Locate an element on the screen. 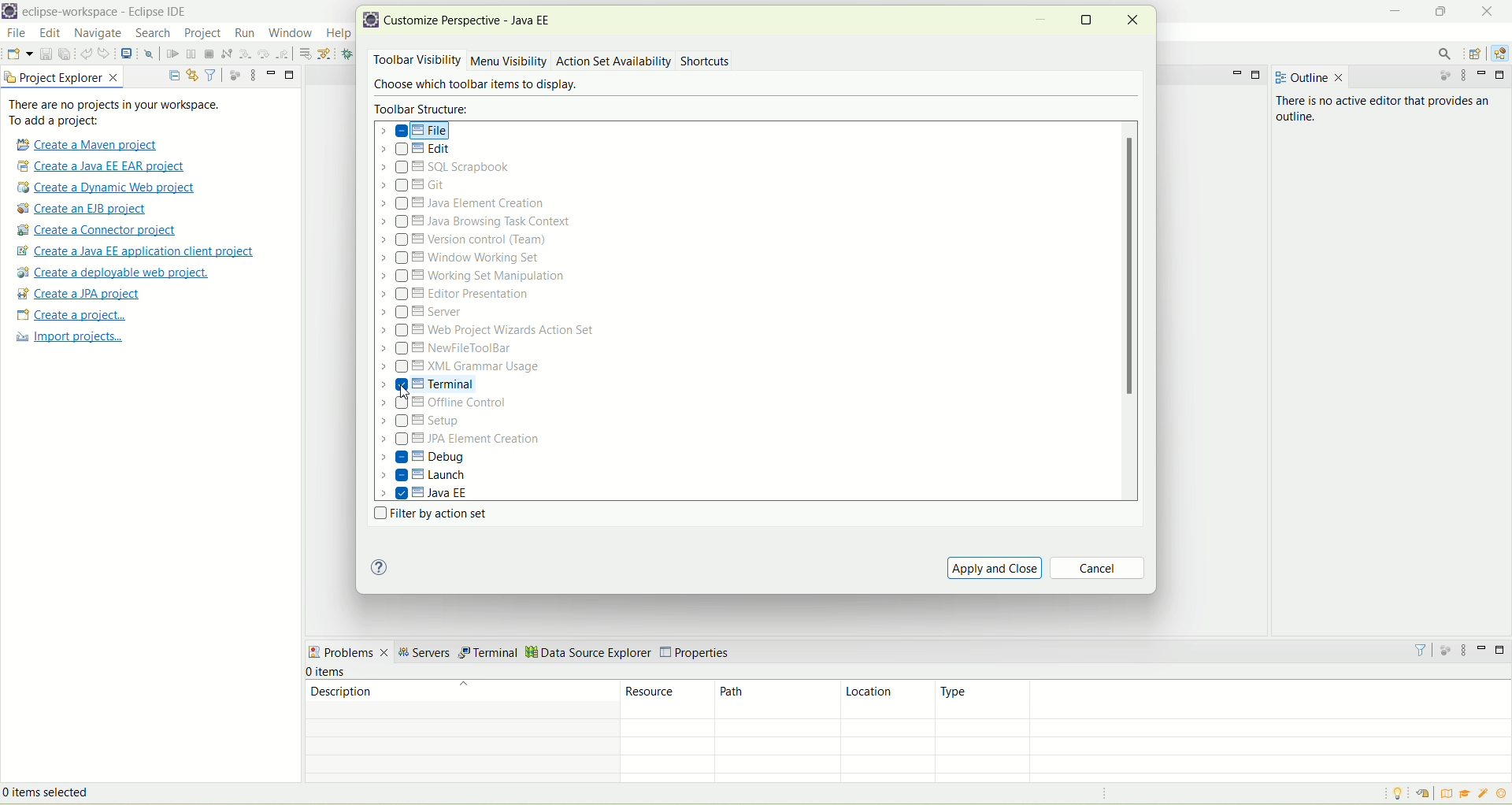  skip all breakpoints is located at coordinates (148, 55).